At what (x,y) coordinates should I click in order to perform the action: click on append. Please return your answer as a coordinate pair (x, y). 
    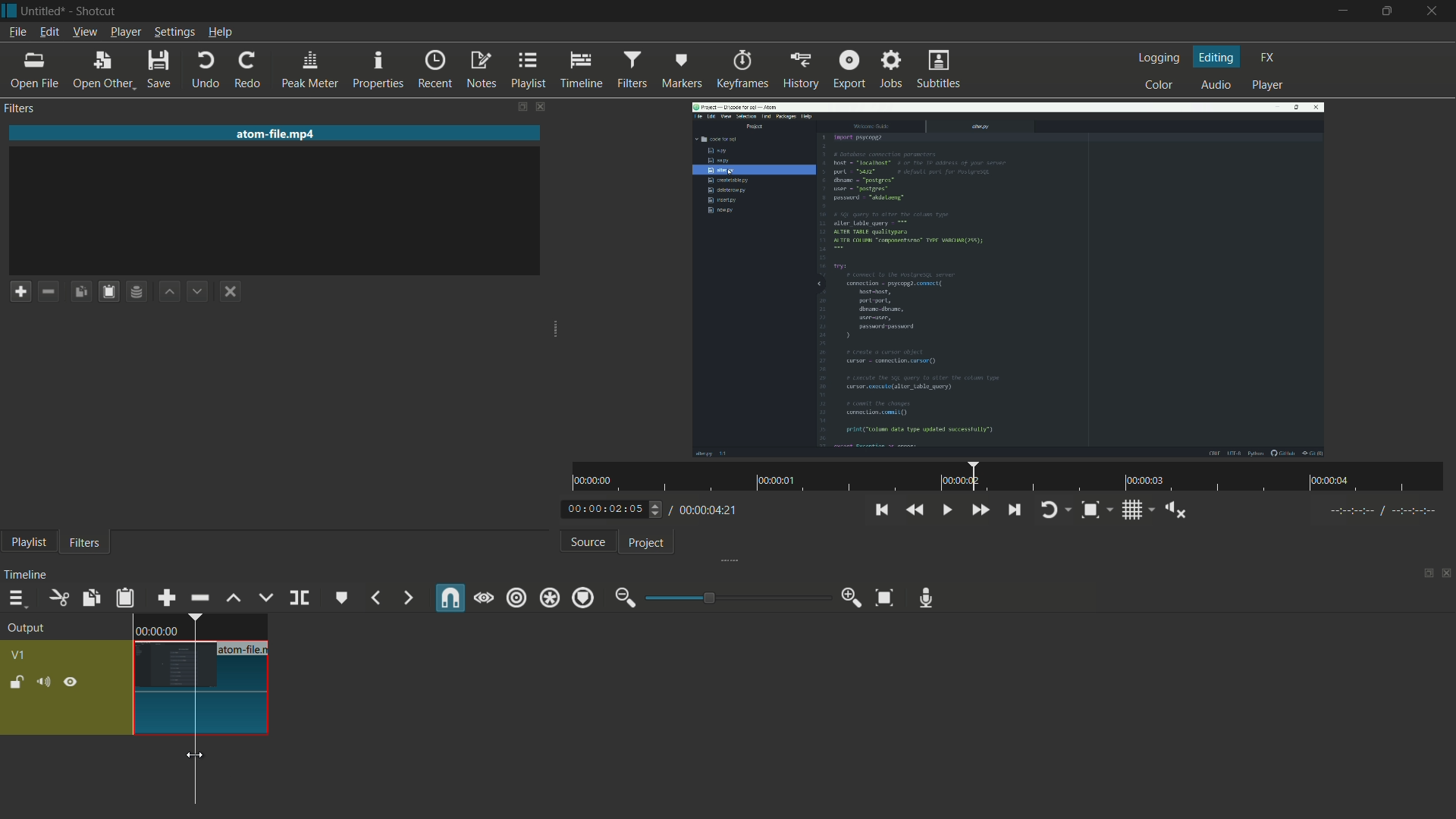
    Looking at the image, I should click on (168, 598).